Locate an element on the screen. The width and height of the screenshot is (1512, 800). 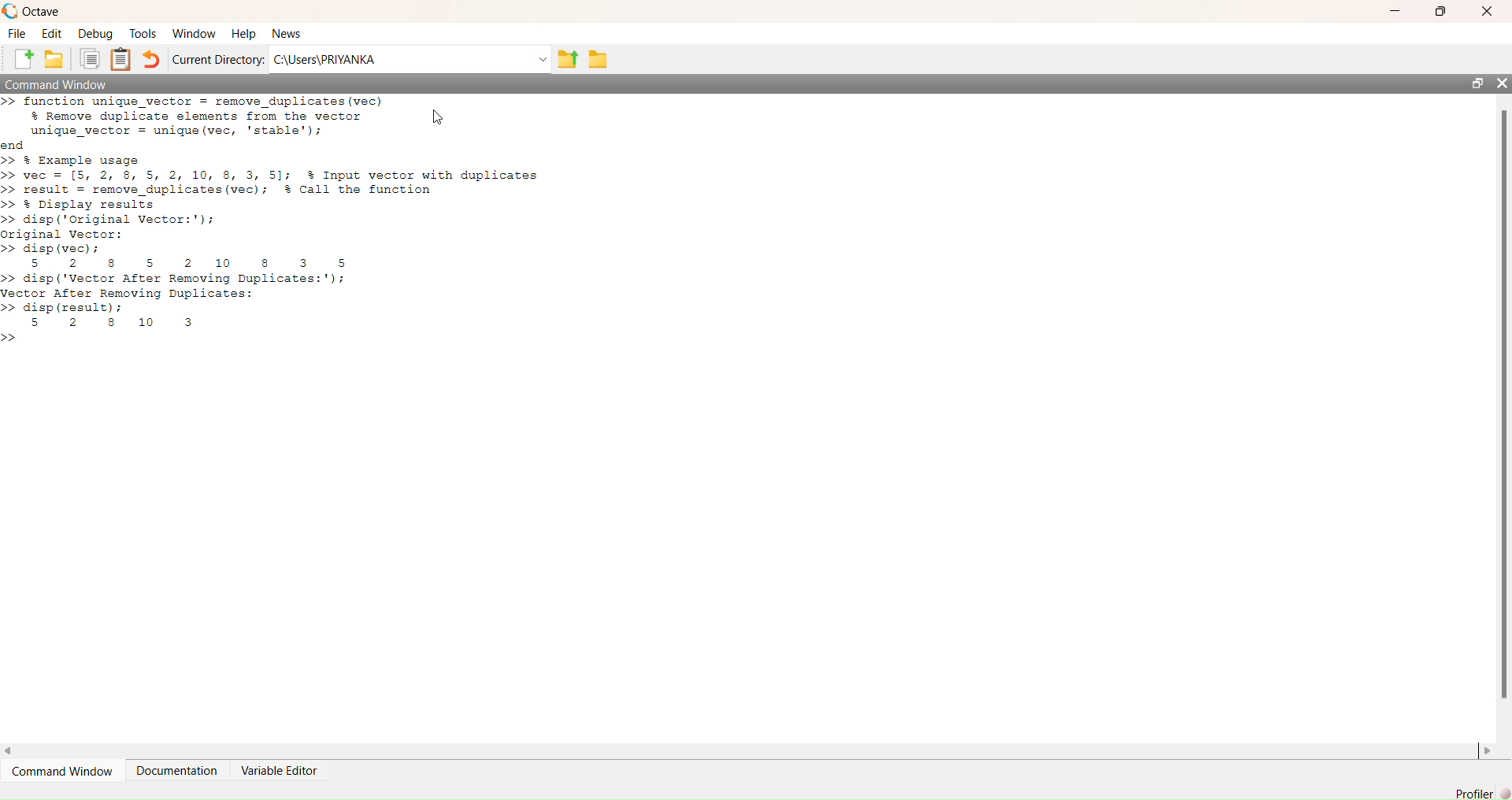
tools is located at coordinates (144, 34).